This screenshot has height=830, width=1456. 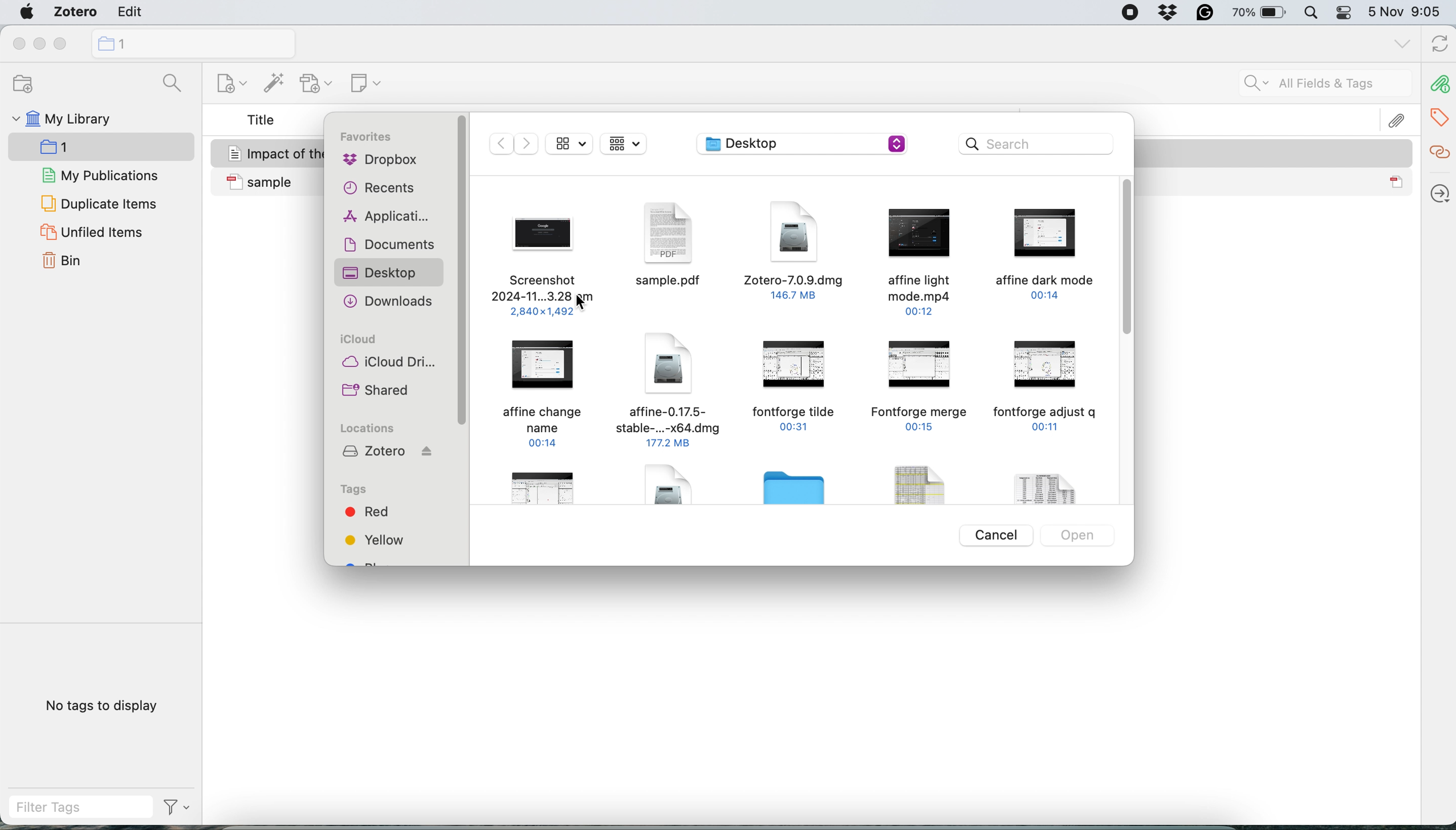 What do you see at coordinates (1202, 15) in the screenshot?
I see `grammarly` at bounding box center [1202, 15].